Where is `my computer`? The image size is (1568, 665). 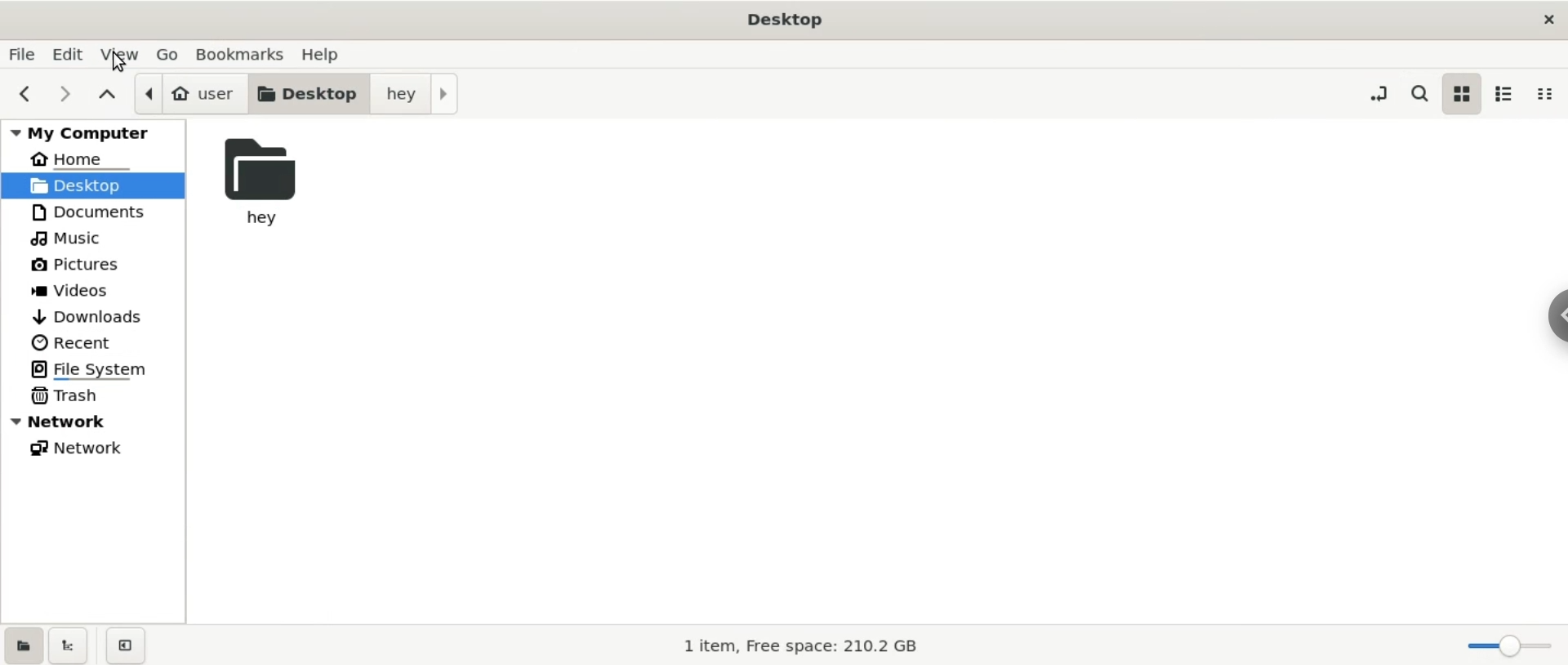 my computer is located at coordinates (94, 133).